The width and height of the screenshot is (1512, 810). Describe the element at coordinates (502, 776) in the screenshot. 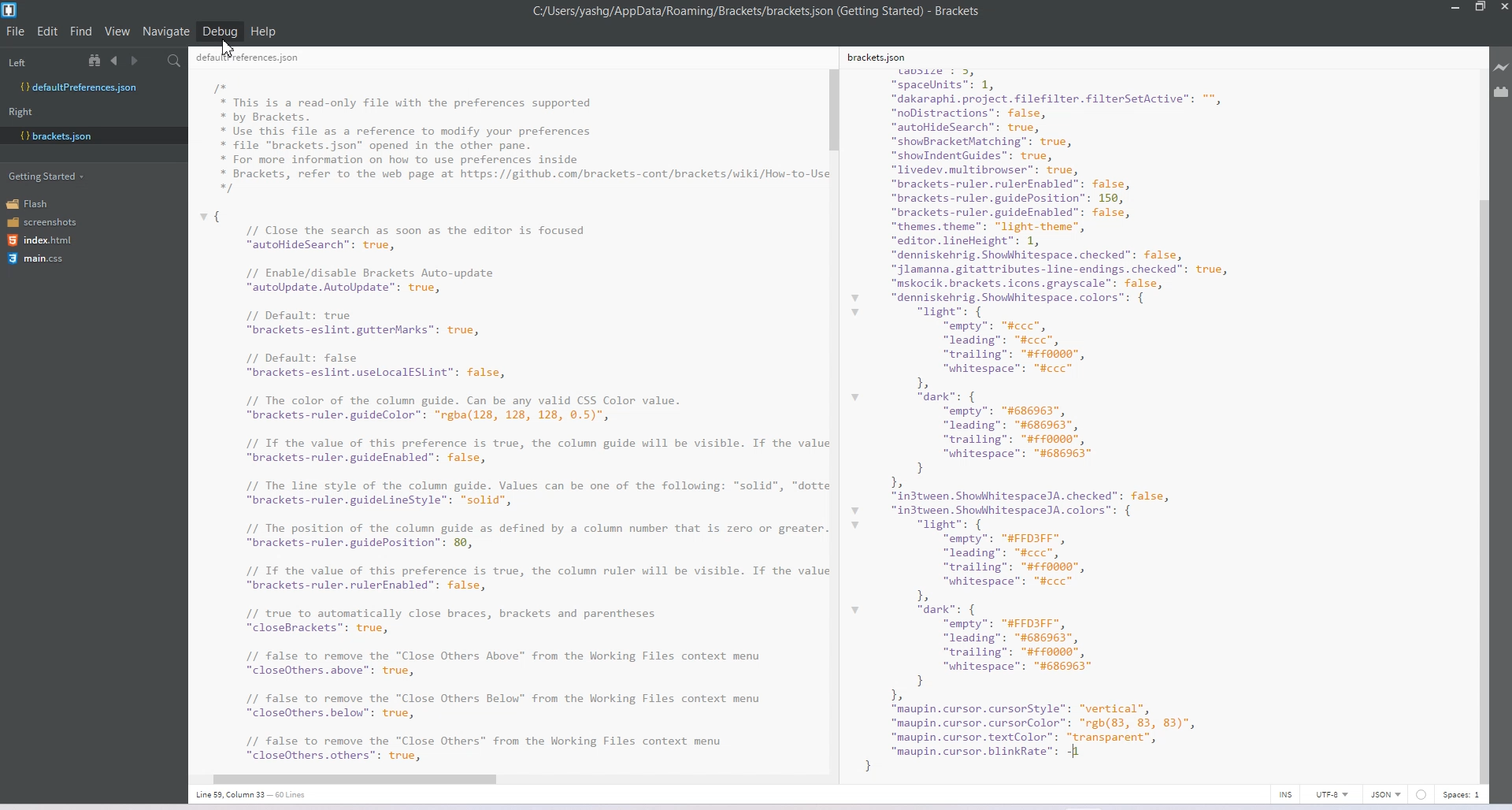

I see `Horizontal Scroll Bar` at that location.